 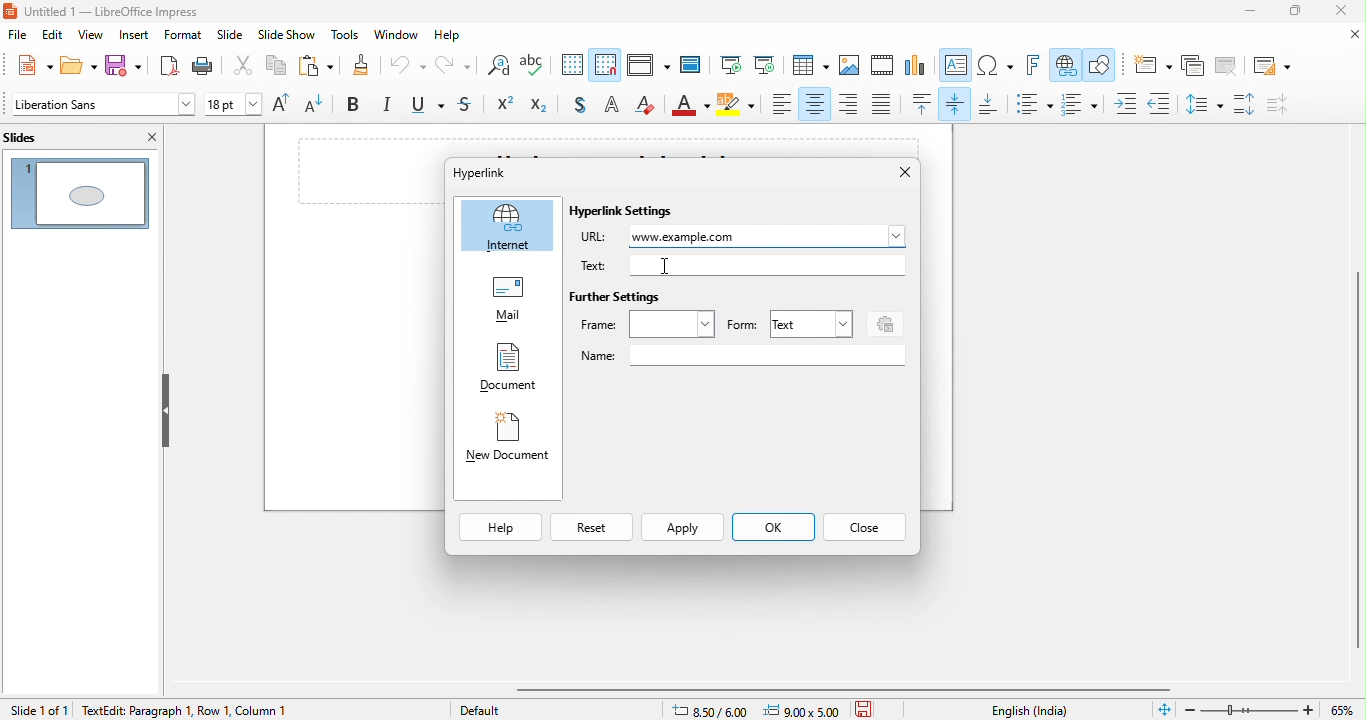 I want to click on set line spacing, so click(x=1202, y=103).